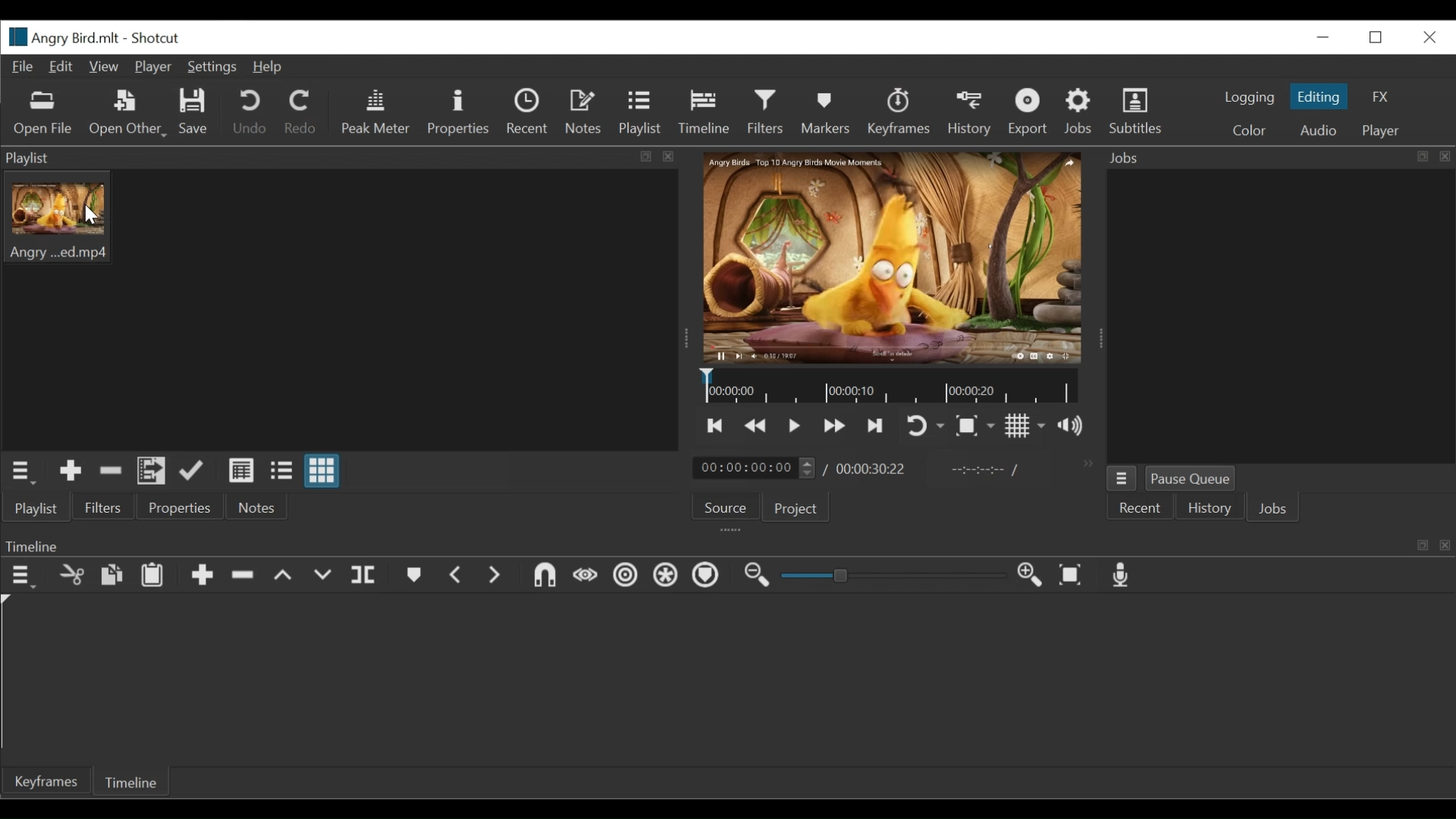 The height and width of the screenshot is (819, 1456). What do you see at coordinates (586, 578) in the screenshot?
I see `Scrub while dragging` at bounding box center [586, 578].